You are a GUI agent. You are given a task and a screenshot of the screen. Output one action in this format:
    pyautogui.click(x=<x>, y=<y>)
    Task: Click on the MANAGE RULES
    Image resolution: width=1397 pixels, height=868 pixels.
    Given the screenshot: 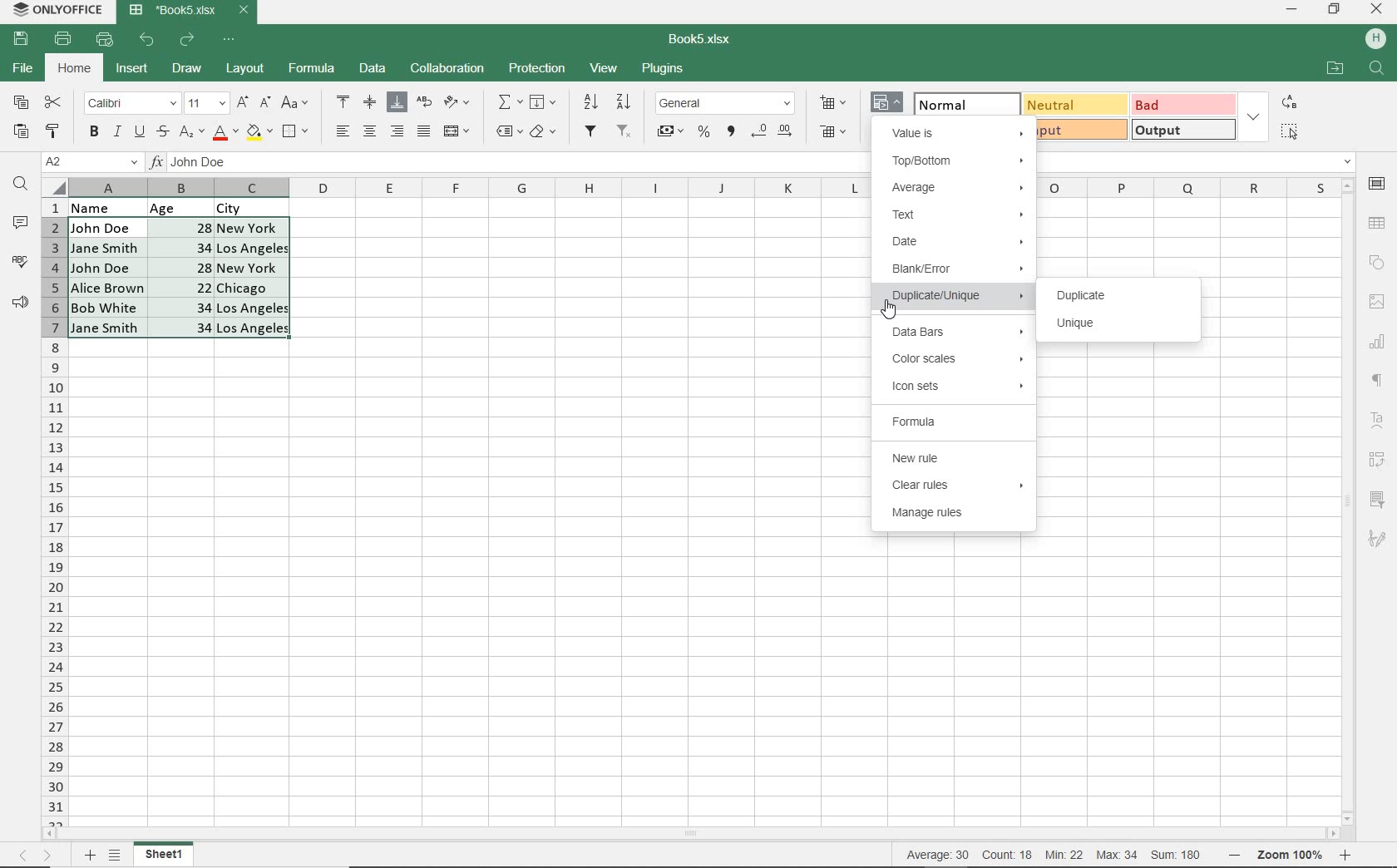 What is the action you would take?
    pyautogui.click(x=957, y=515)
    